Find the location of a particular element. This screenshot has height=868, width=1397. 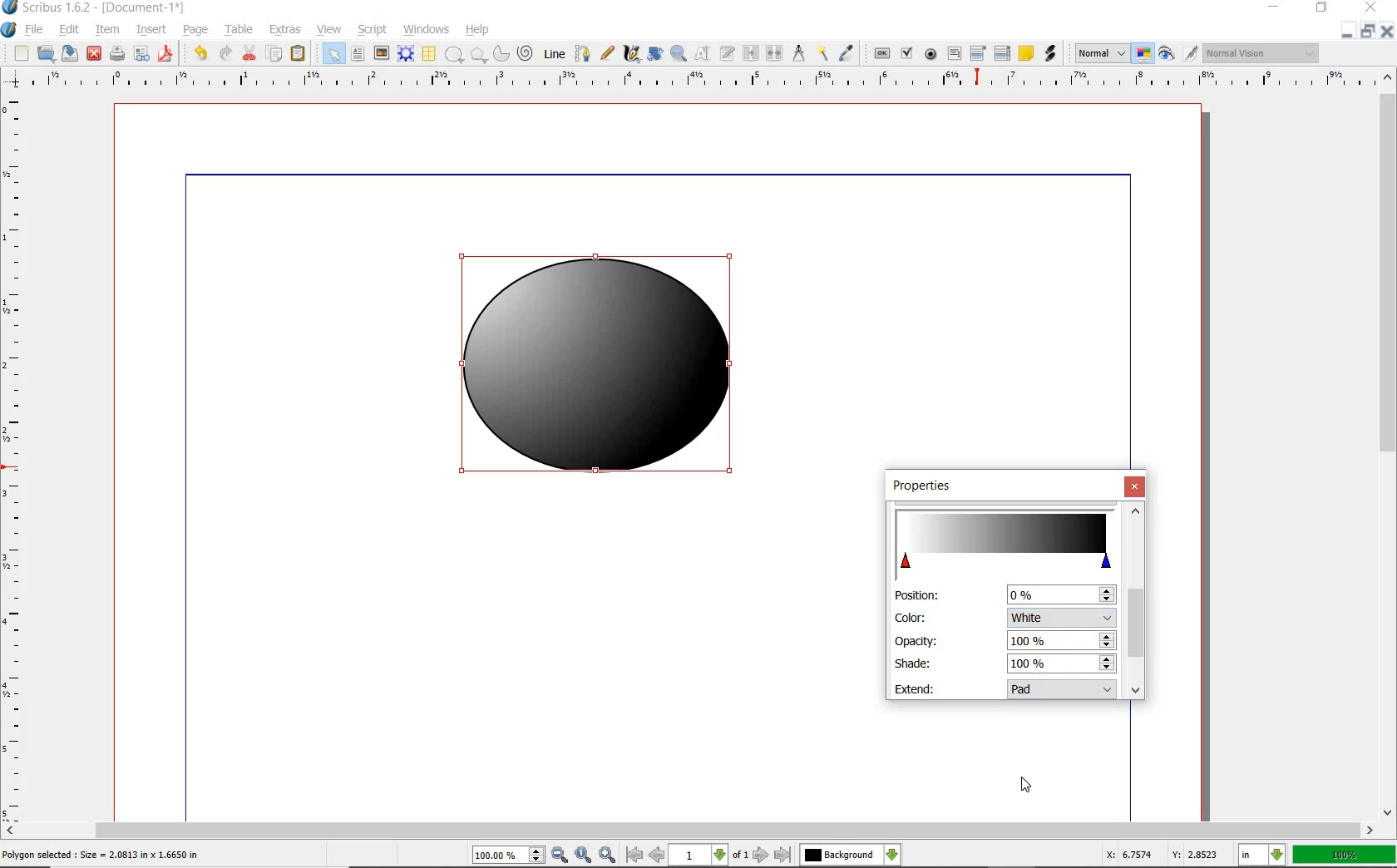

RULER is located at coordinates (694, 81).